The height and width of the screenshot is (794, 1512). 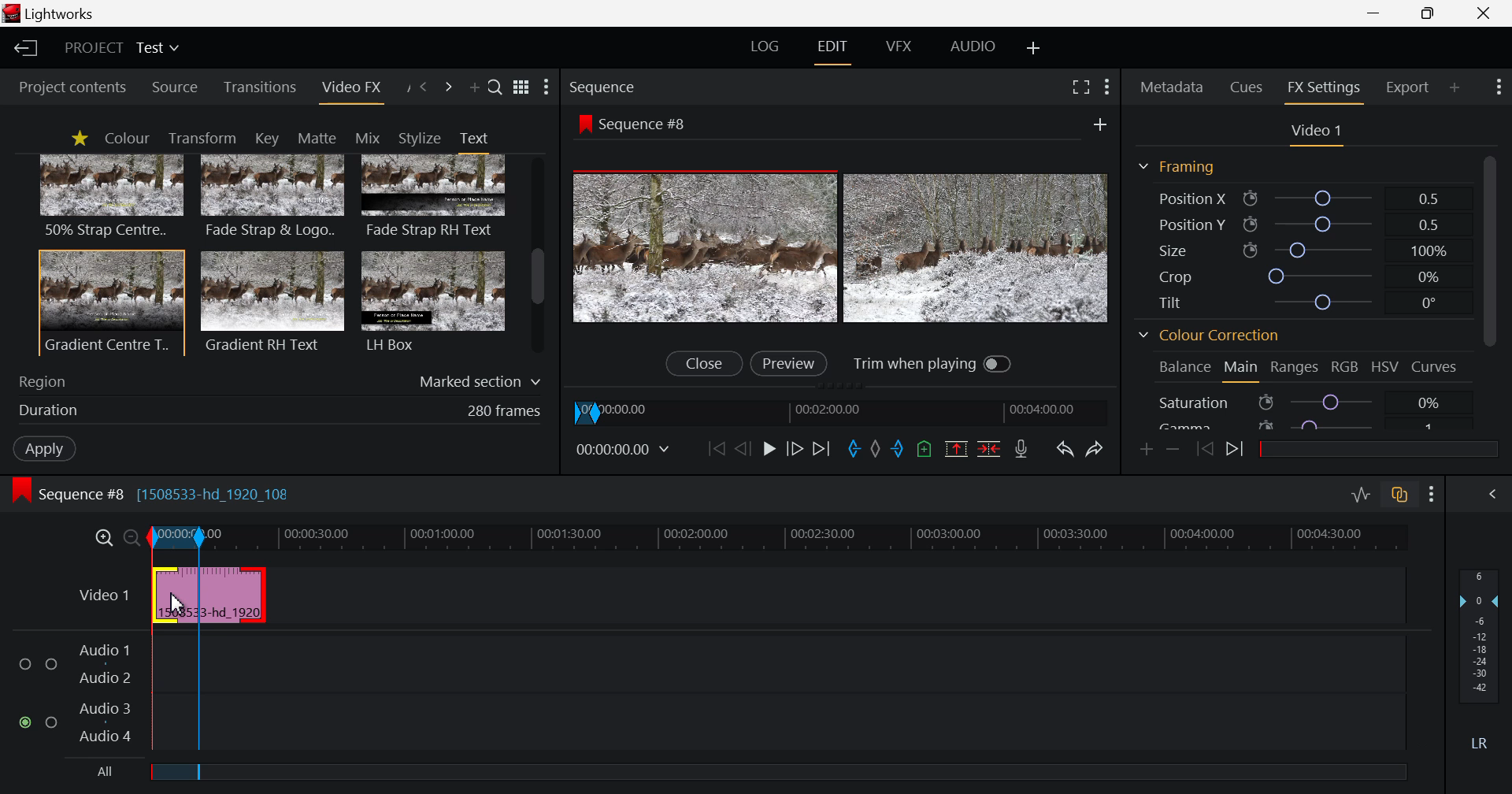 What do you see at coordinates (1097, 447) in the screenshot?
I see `Redo` at bounding box center [1097, 447].